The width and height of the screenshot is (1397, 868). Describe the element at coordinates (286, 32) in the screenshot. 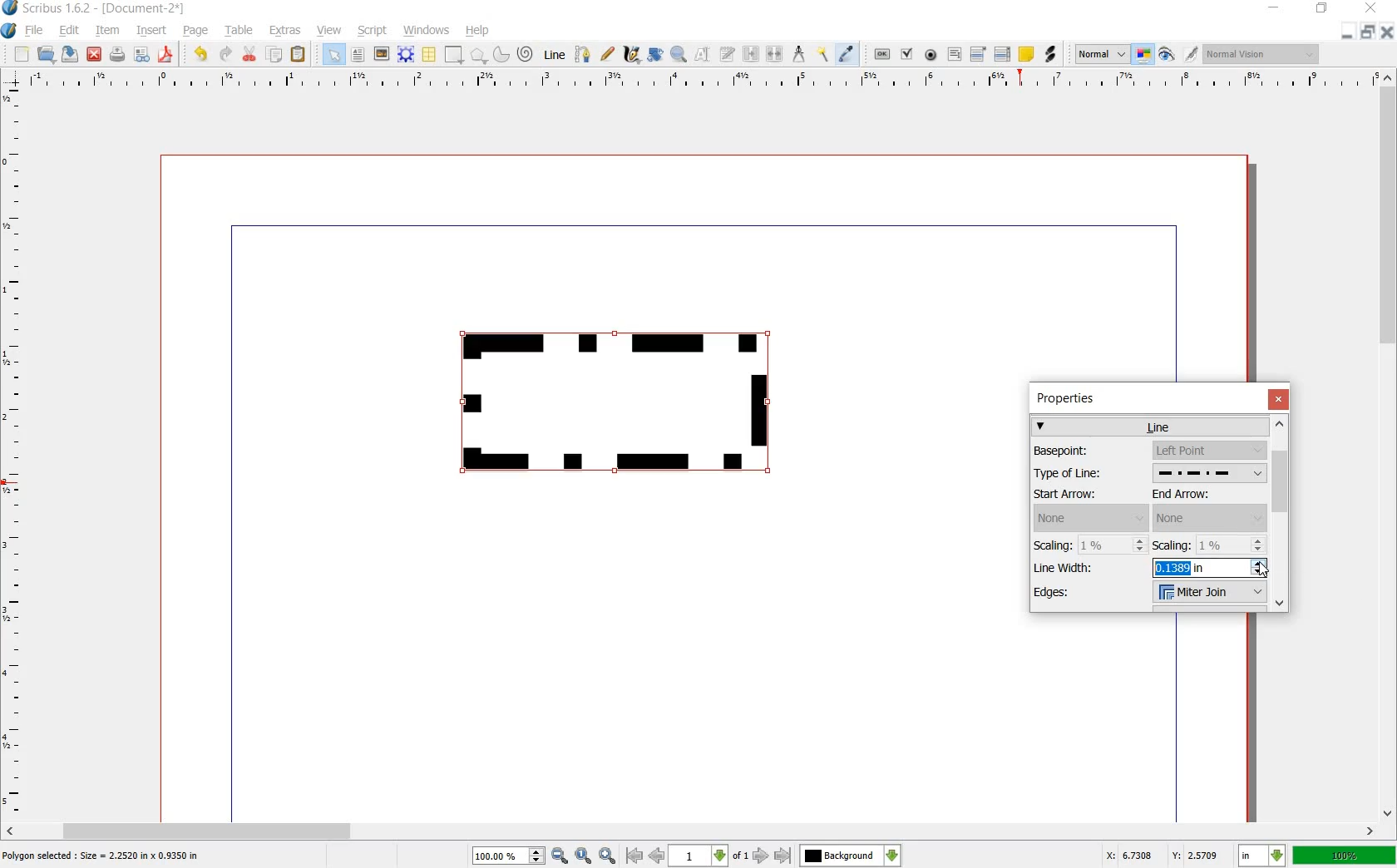

I see `EXTRAS` at that location.